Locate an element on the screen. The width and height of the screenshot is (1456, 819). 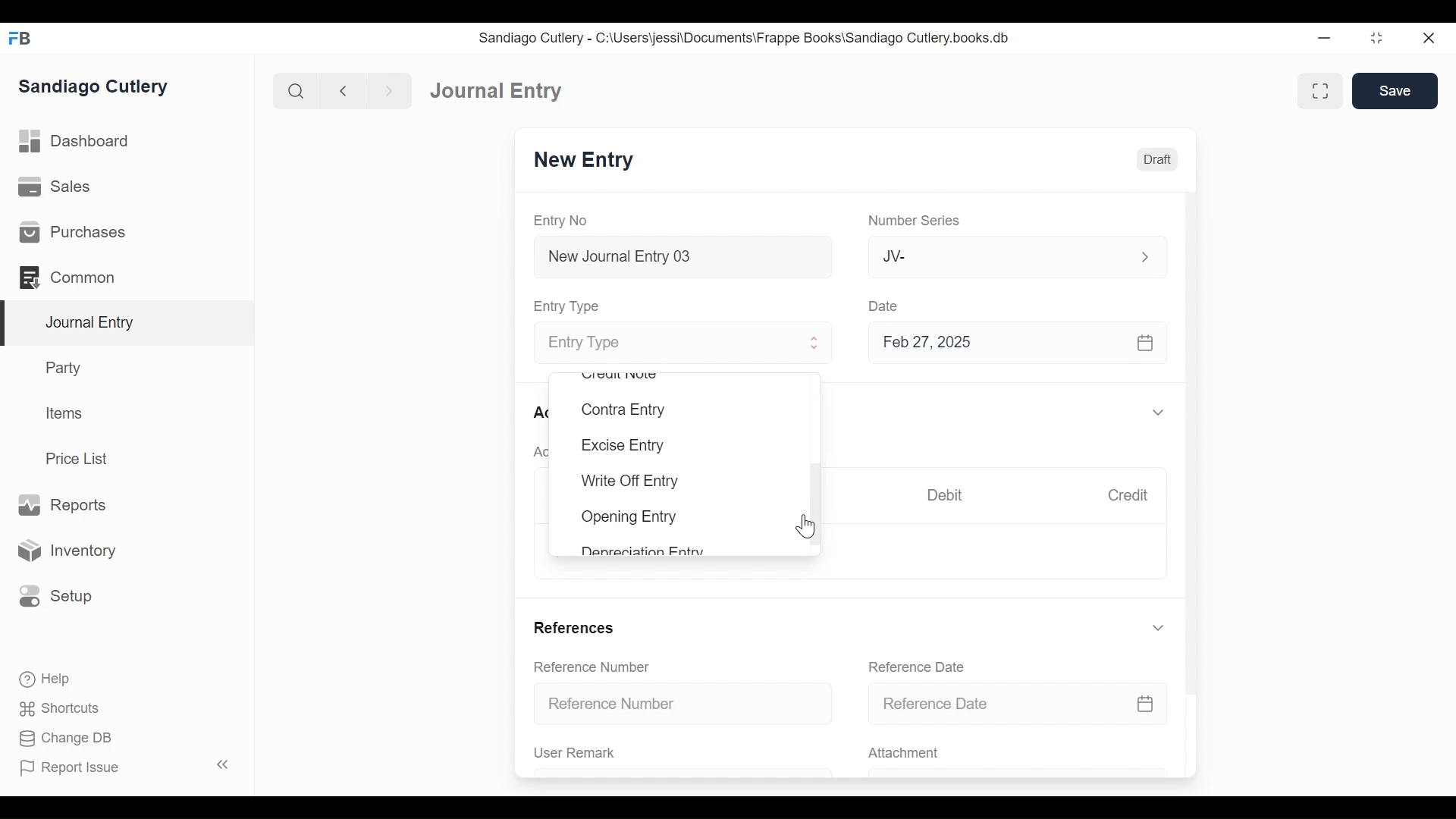
Attachment is located at coordinates (903, 755).